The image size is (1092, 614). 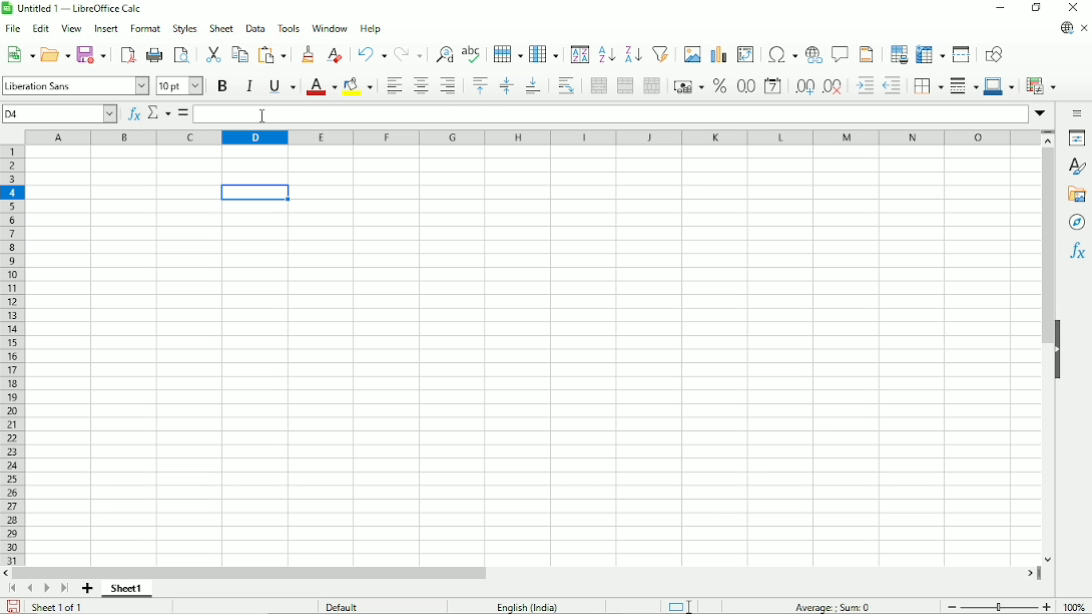 What do you see at coordinates (897, 54) in the screenshot?
I see `Define print area` at bounding box center [897, 54].